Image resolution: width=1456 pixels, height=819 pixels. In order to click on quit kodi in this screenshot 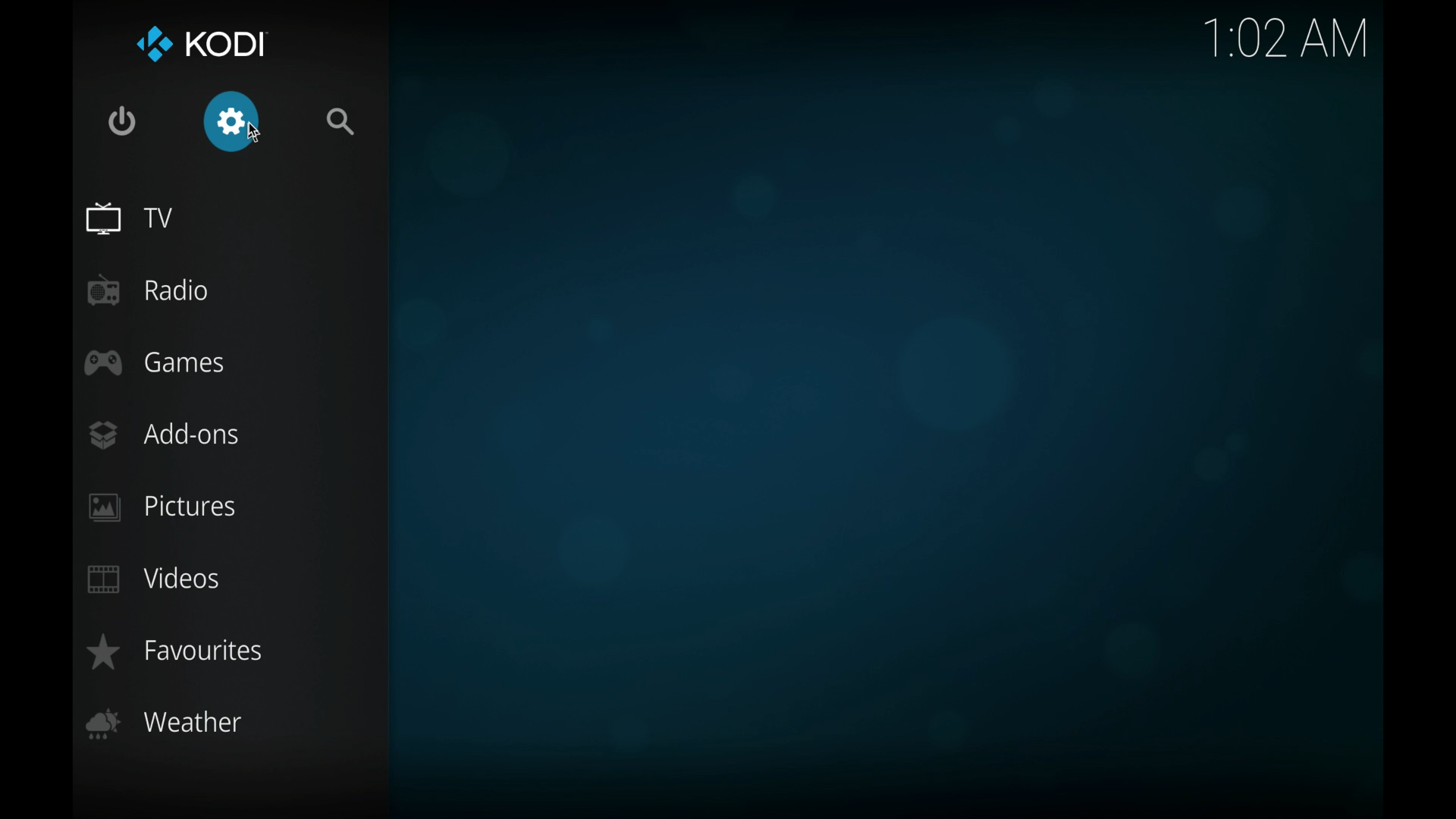, I will do `click(124, 121)`.